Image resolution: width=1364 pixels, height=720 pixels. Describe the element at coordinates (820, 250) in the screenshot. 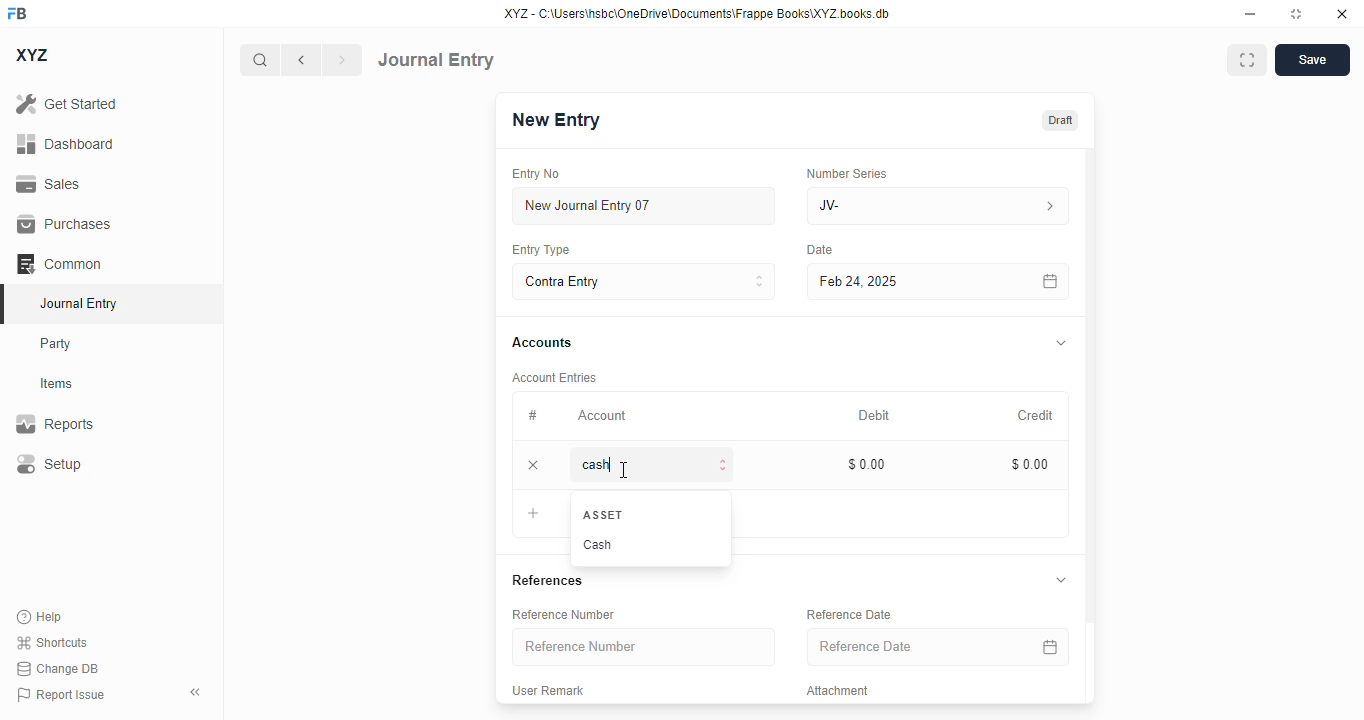

I see `date` at that location.